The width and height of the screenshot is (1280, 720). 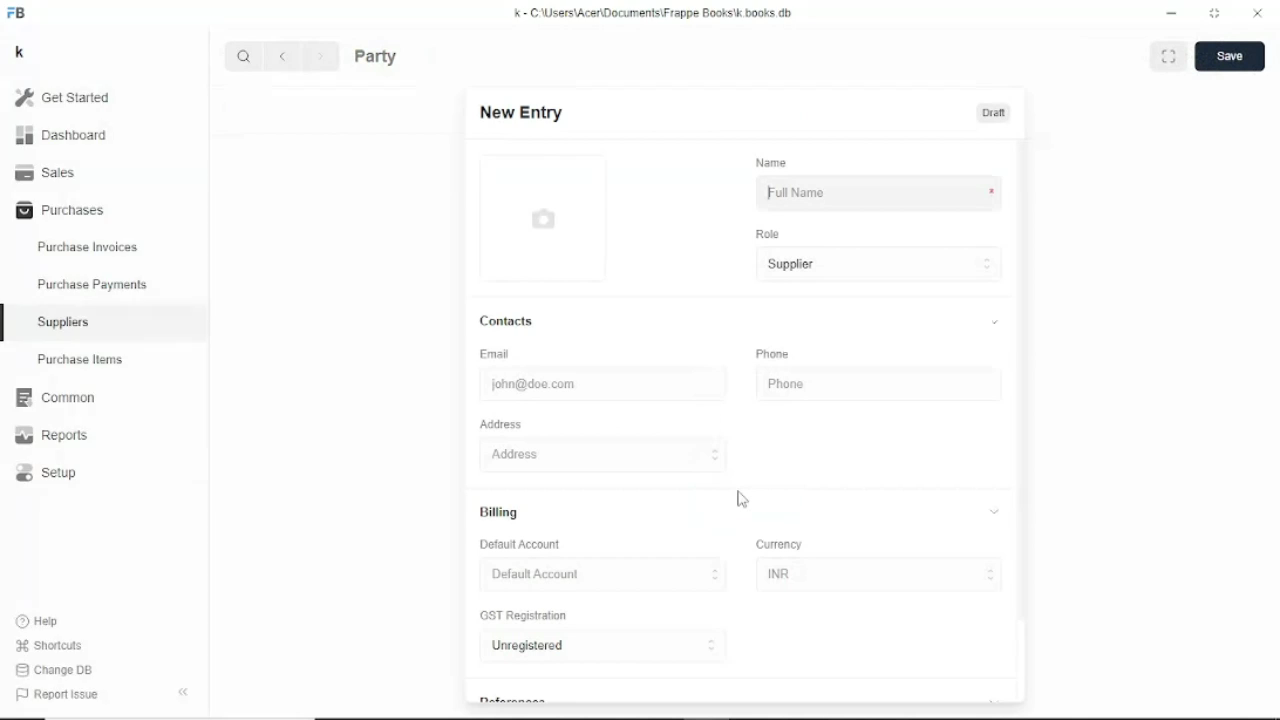 I want to click on New entry, so click(x=518, y=113).